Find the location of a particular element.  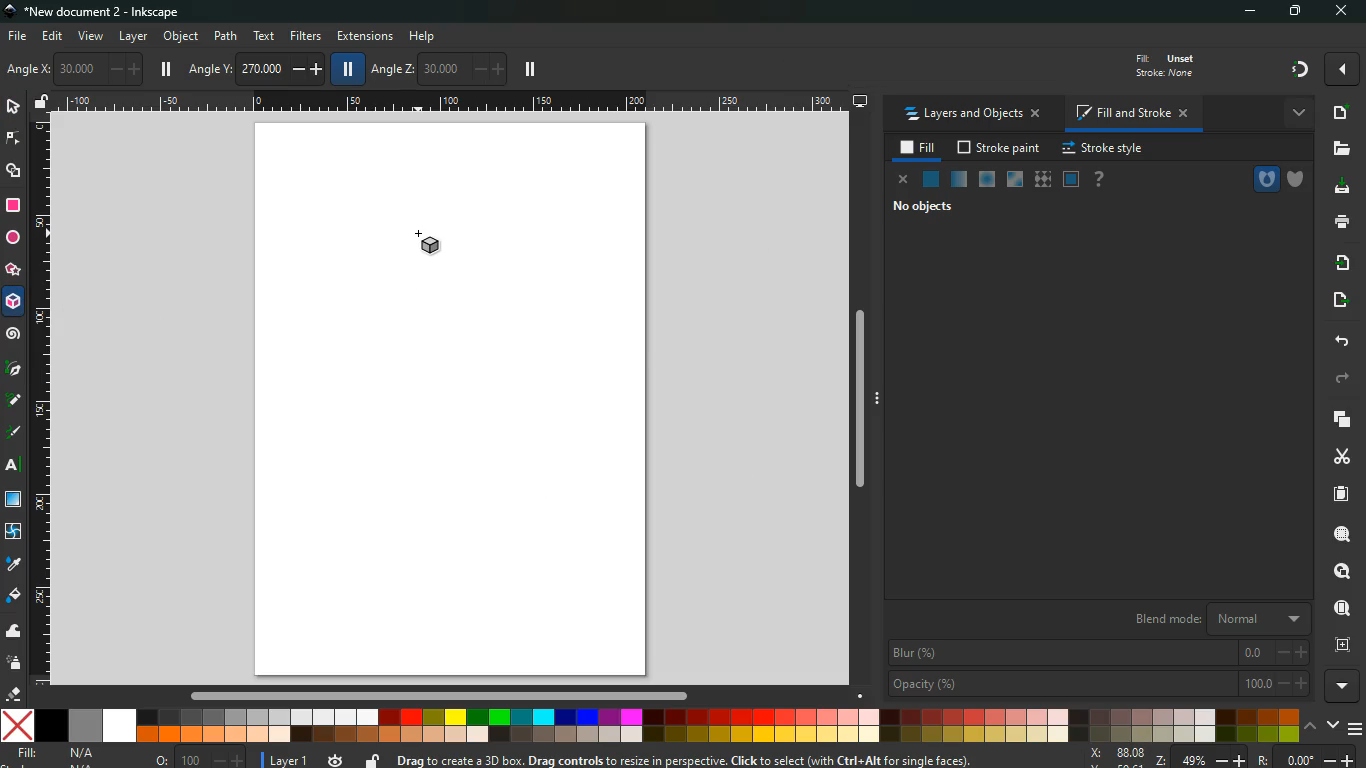

up is located at coordinates (1311, 728).